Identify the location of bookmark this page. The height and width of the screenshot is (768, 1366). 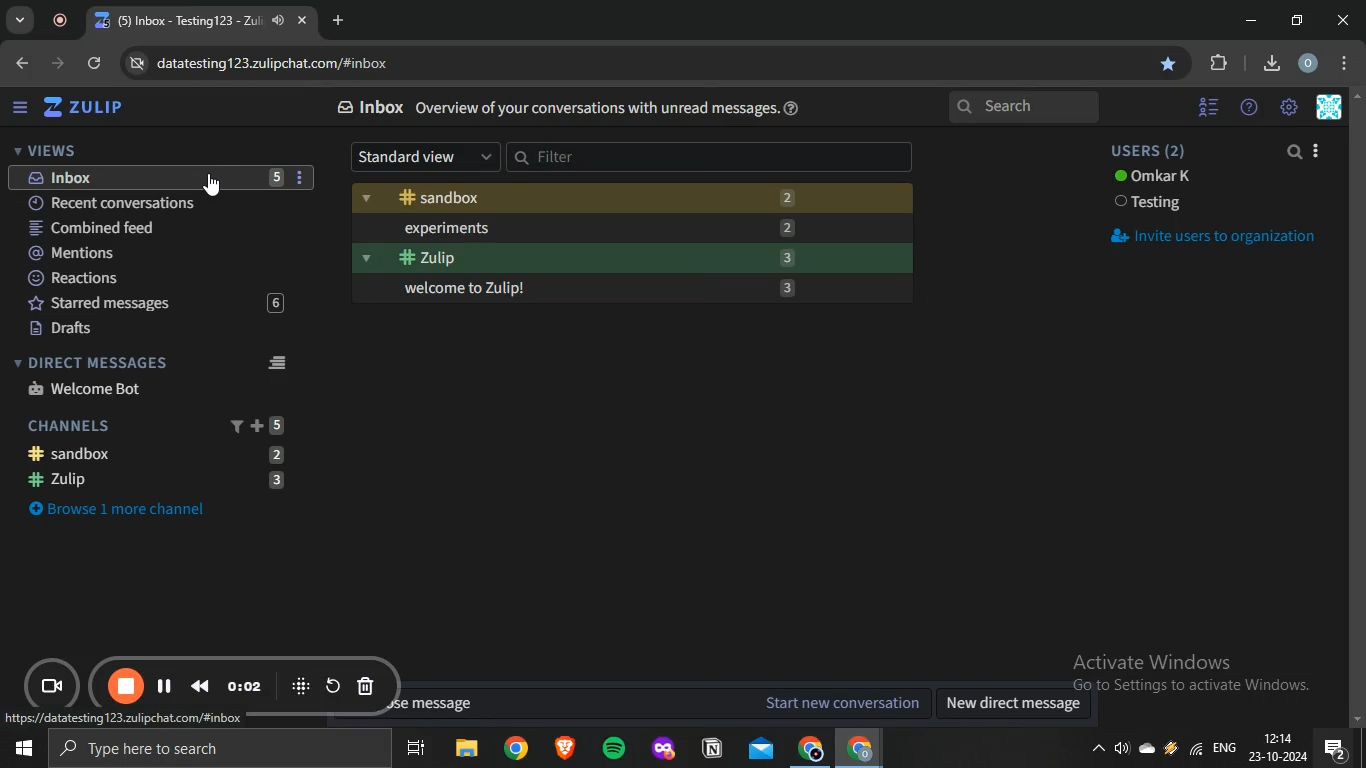
(1170, 63).